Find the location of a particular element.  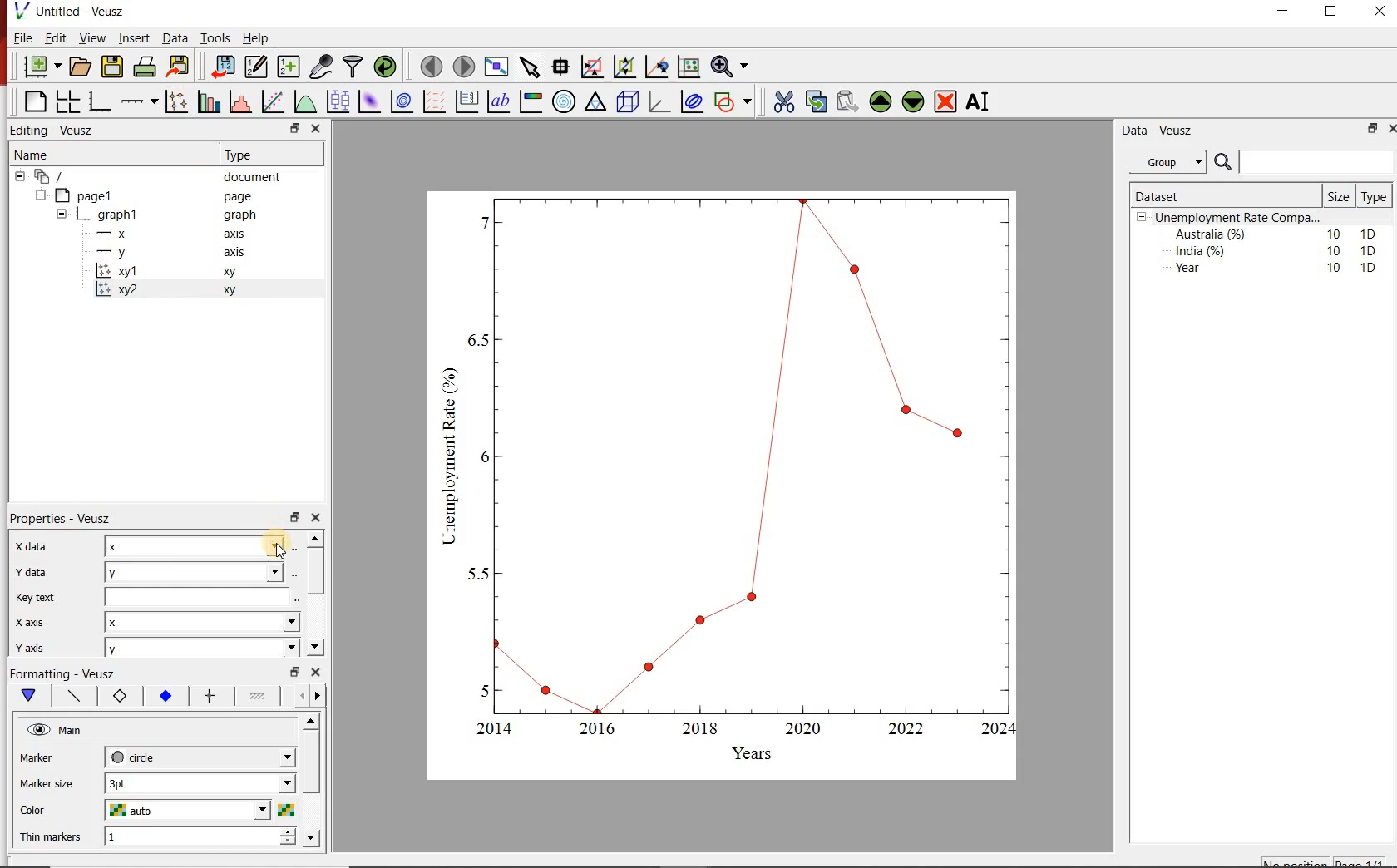

xy 2 xy is located at coordinates (191, 289).